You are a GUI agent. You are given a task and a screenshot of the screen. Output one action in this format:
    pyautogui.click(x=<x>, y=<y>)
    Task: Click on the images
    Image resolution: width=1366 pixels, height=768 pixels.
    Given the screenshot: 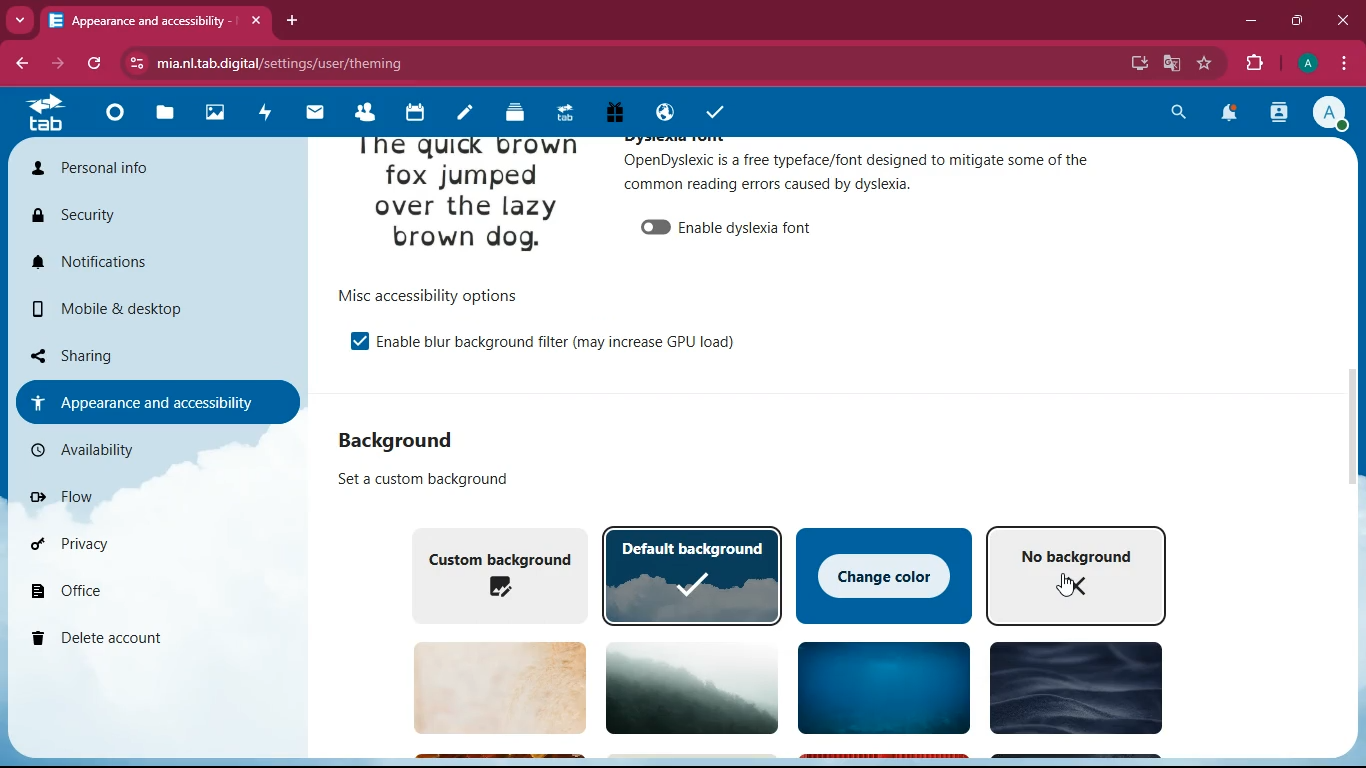 What is the action you would take?
    pyautogui.click(x=213, y=111)
    